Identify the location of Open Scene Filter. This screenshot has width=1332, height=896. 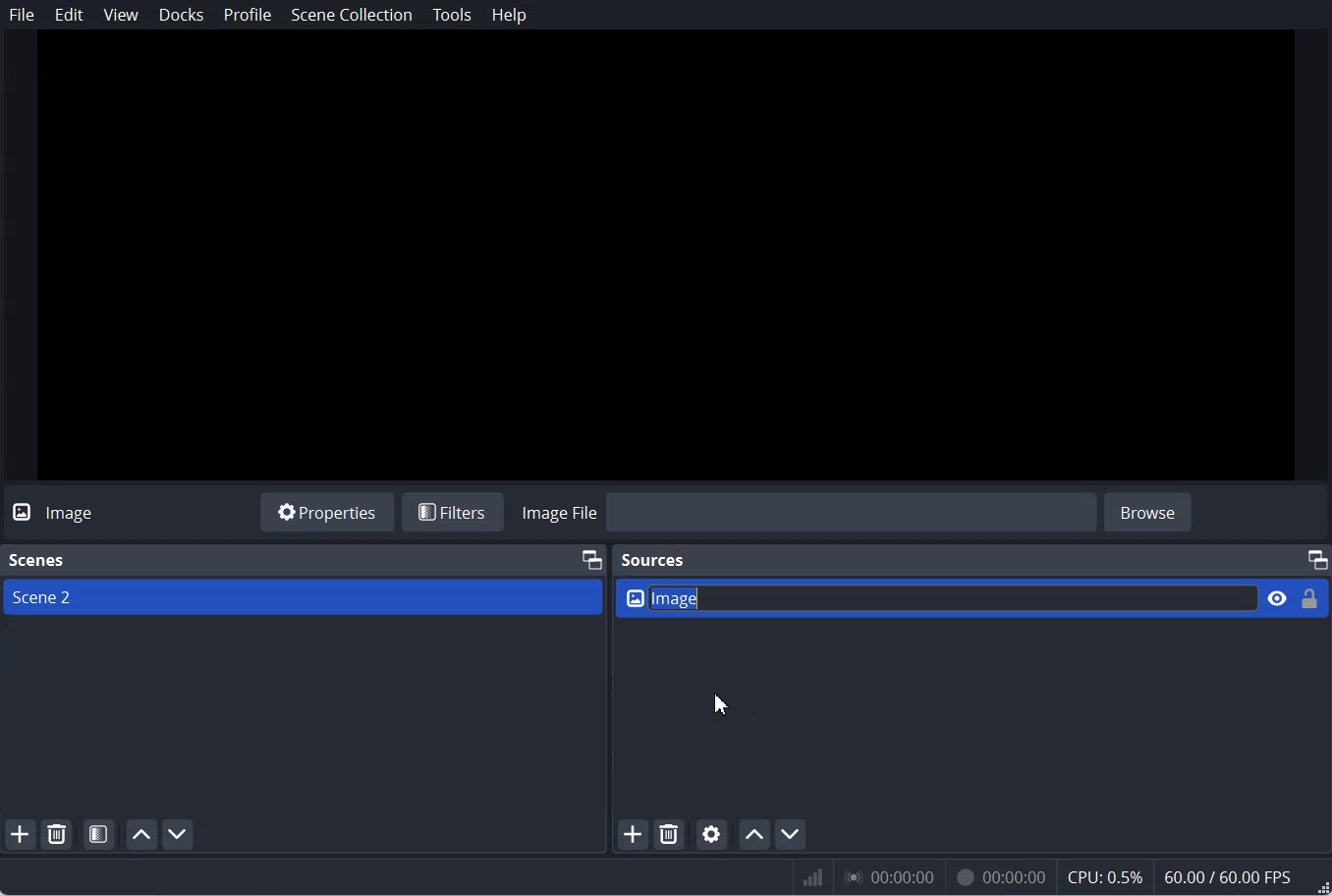
(99, 834).